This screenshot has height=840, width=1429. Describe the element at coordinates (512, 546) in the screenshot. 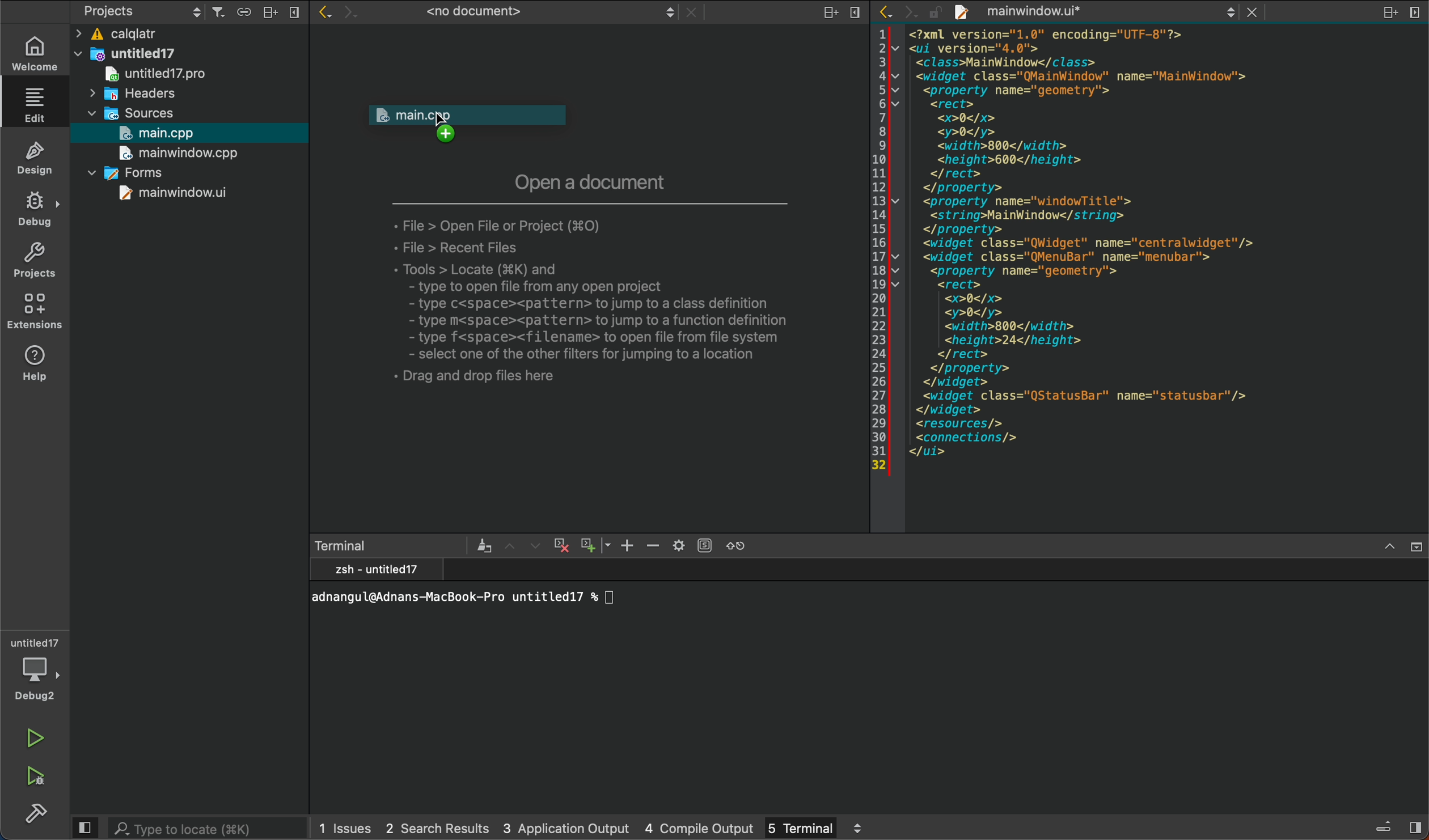

I see `previous item` at that location.